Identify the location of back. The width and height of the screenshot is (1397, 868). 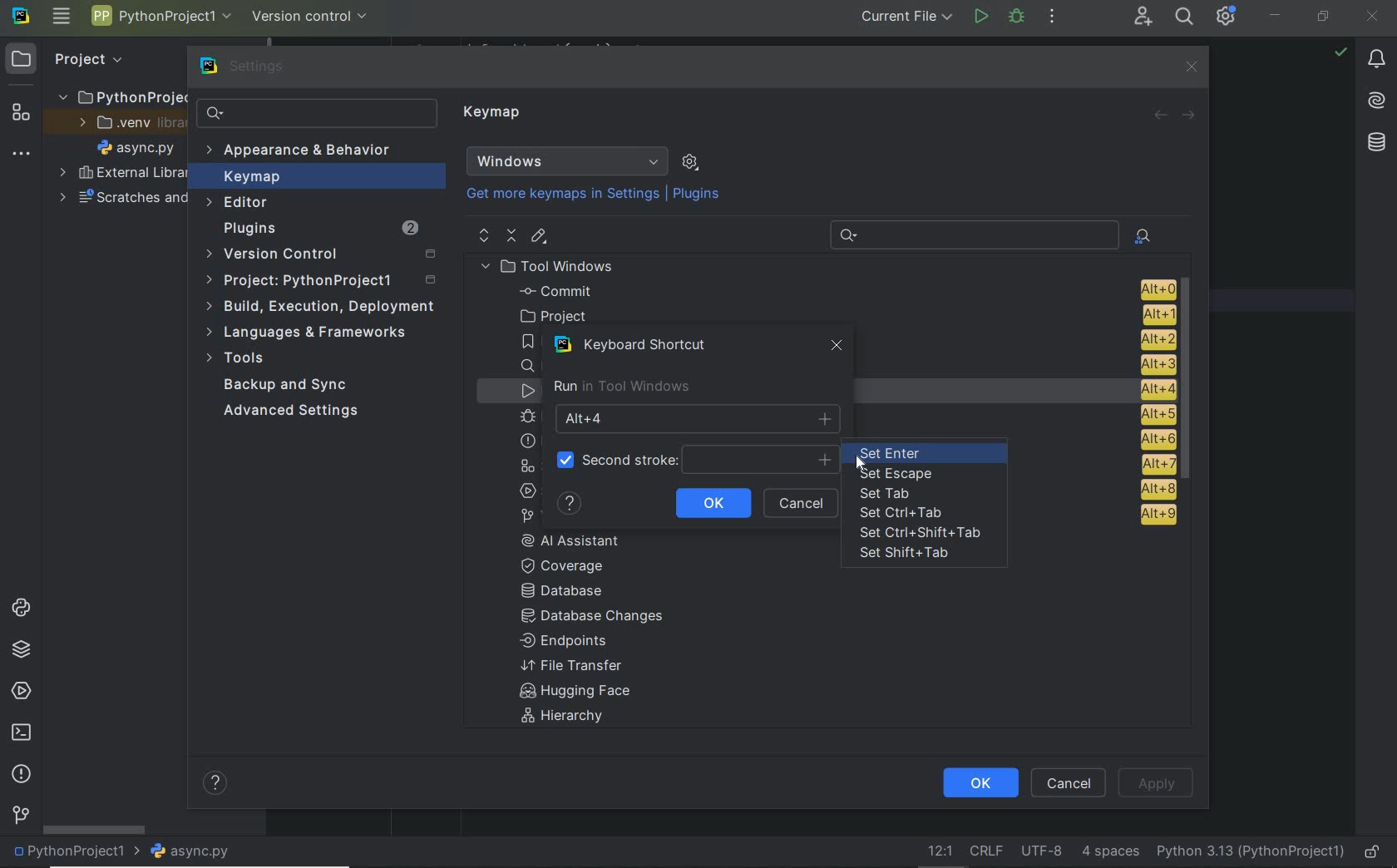
(1161, 116).